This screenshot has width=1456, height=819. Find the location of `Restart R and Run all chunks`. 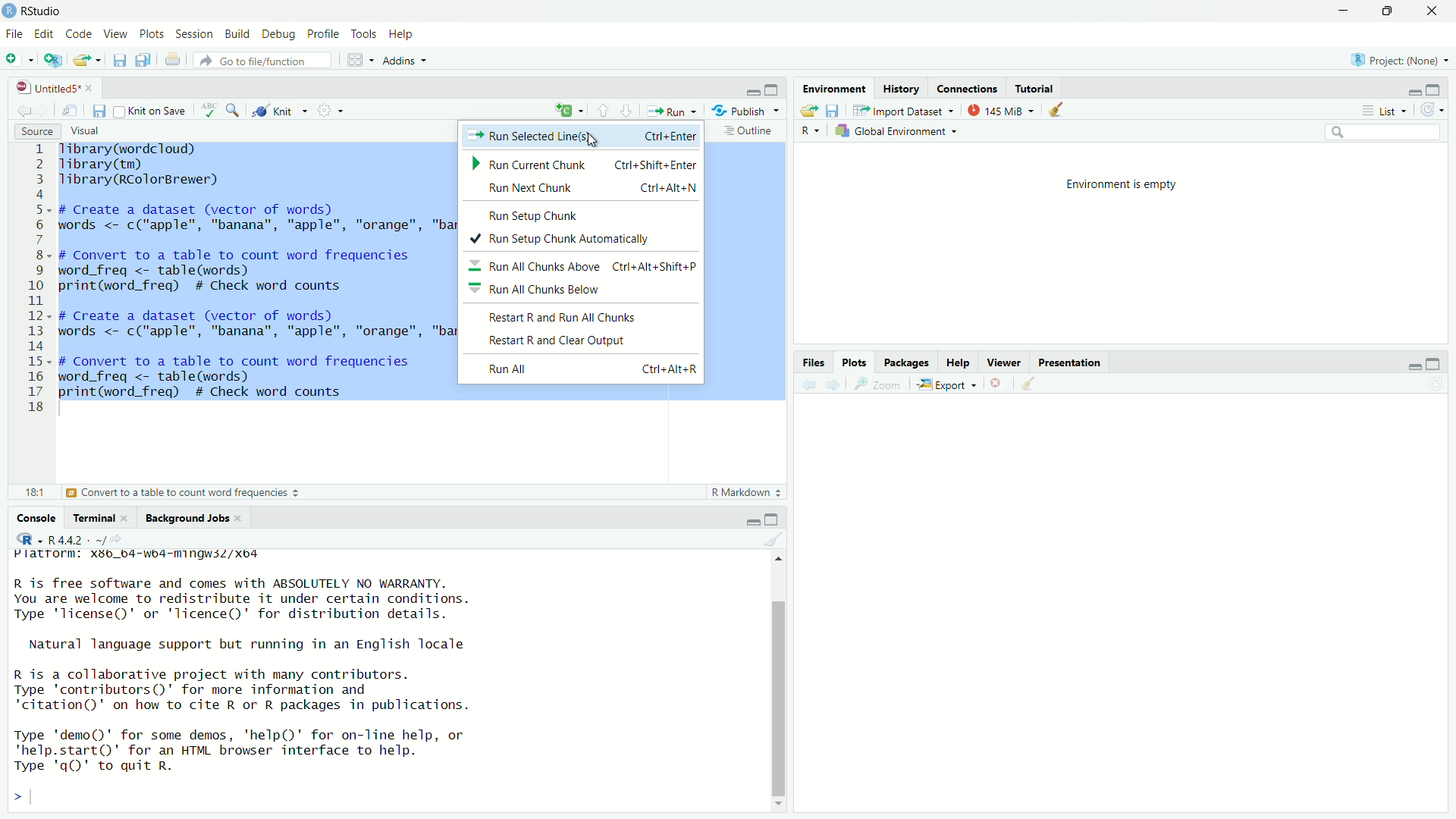

Restart R and Run all chunks is located at coordinates (560, 316).